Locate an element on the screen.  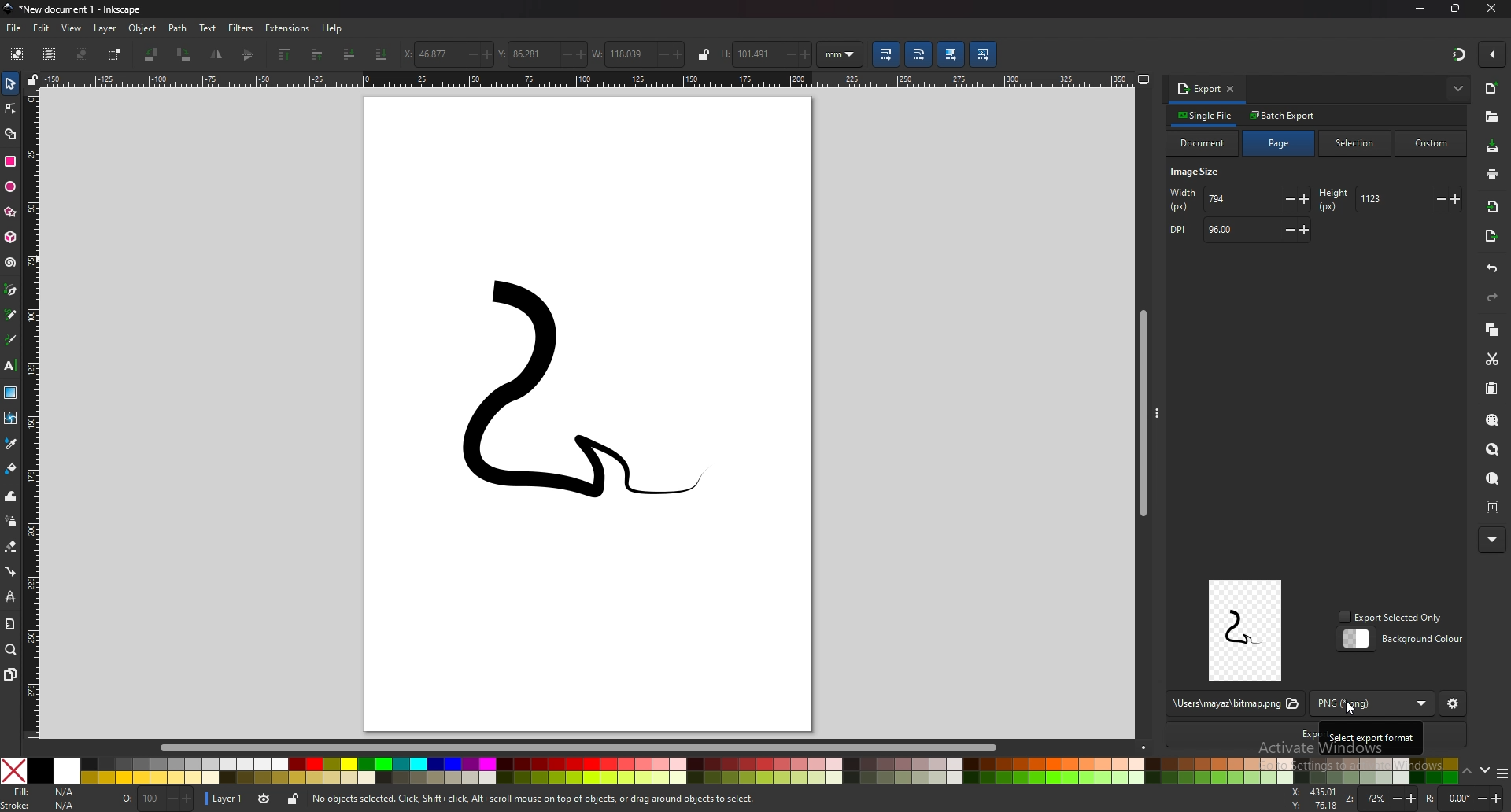
select all objects is located at coordinates (16, 54).